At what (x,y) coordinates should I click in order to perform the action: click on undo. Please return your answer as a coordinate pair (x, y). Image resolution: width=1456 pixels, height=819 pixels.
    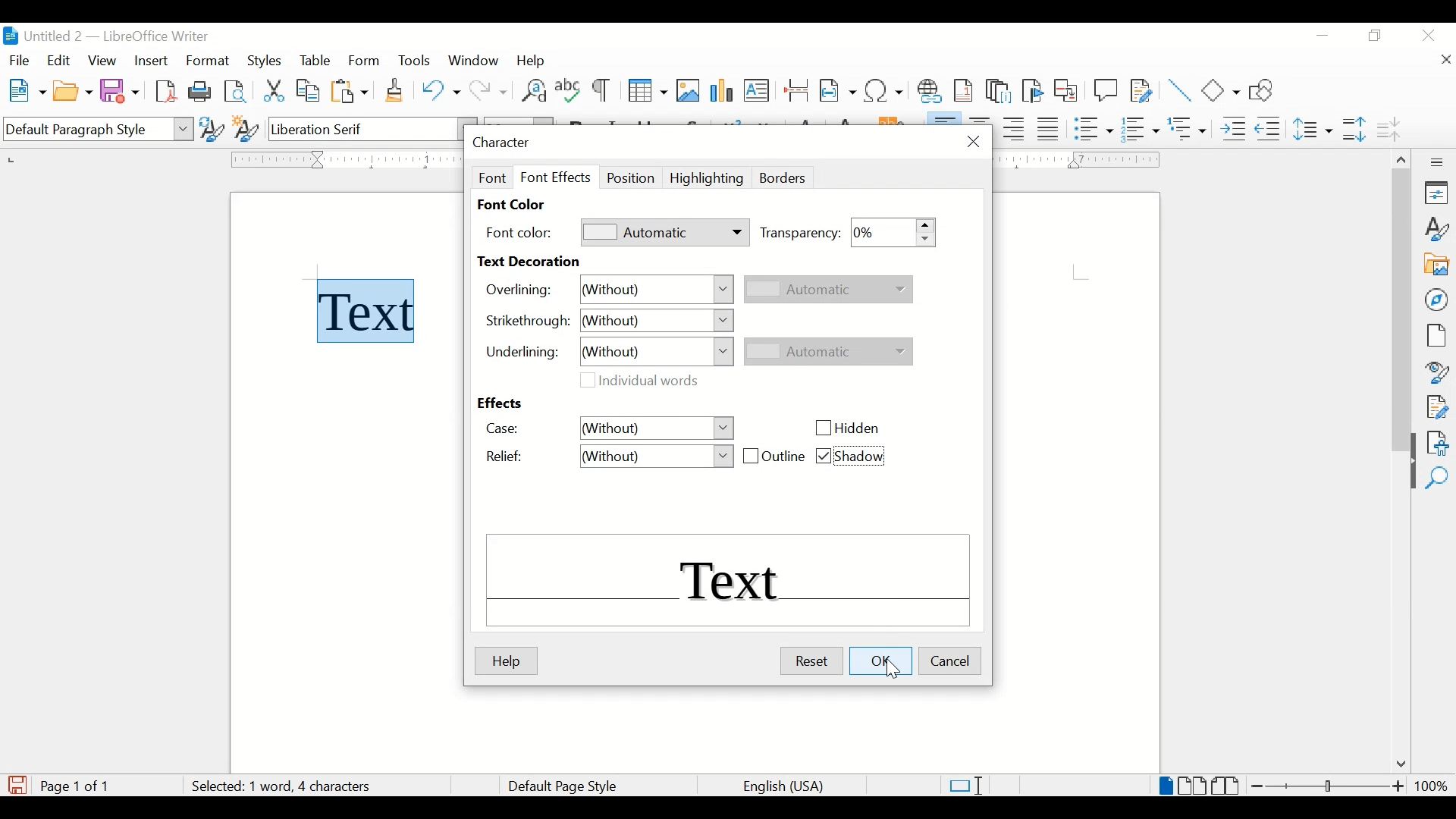
    Looking at the image, I should click on (441, 90).